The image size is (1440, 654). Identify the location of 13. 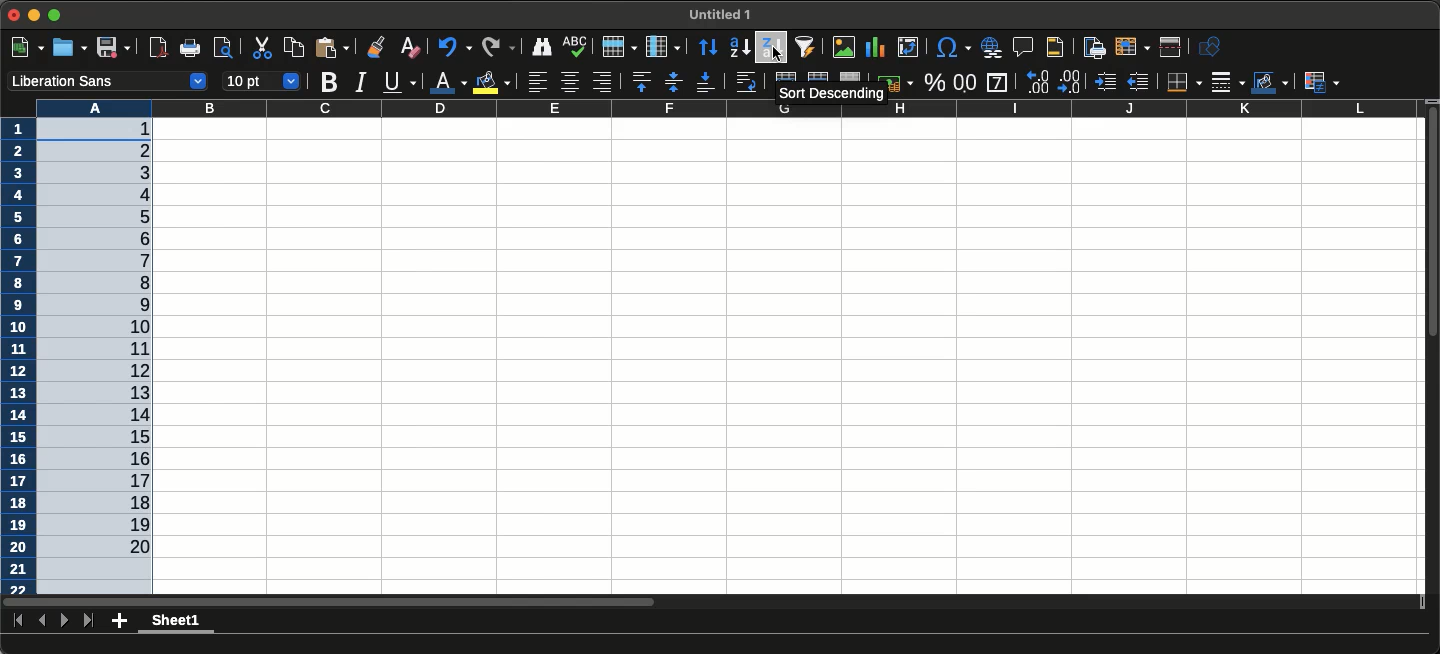
(128, 391).